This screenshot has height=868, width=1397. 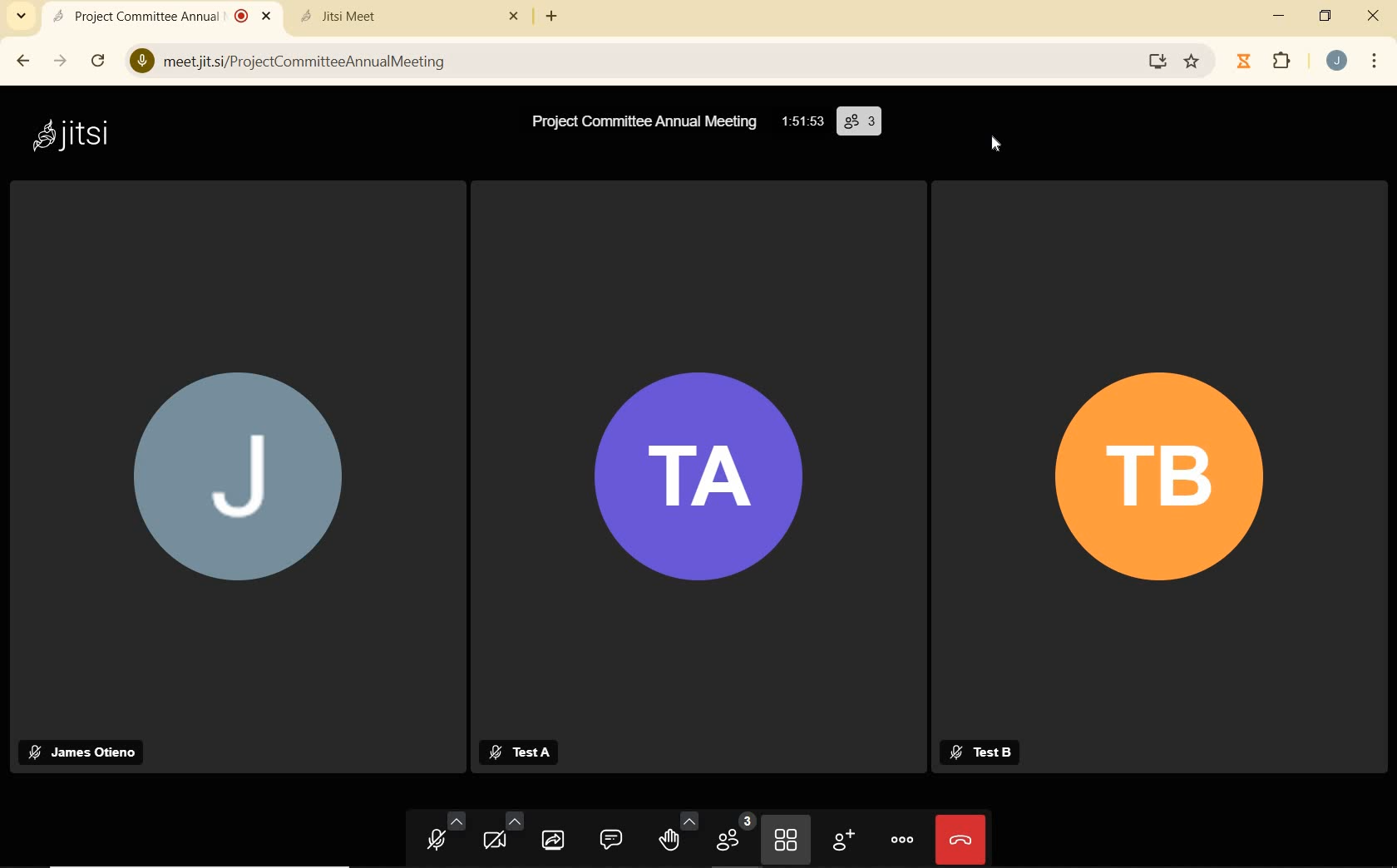 I want to click on customize and control google chrome , so click(x=1372, y=60).